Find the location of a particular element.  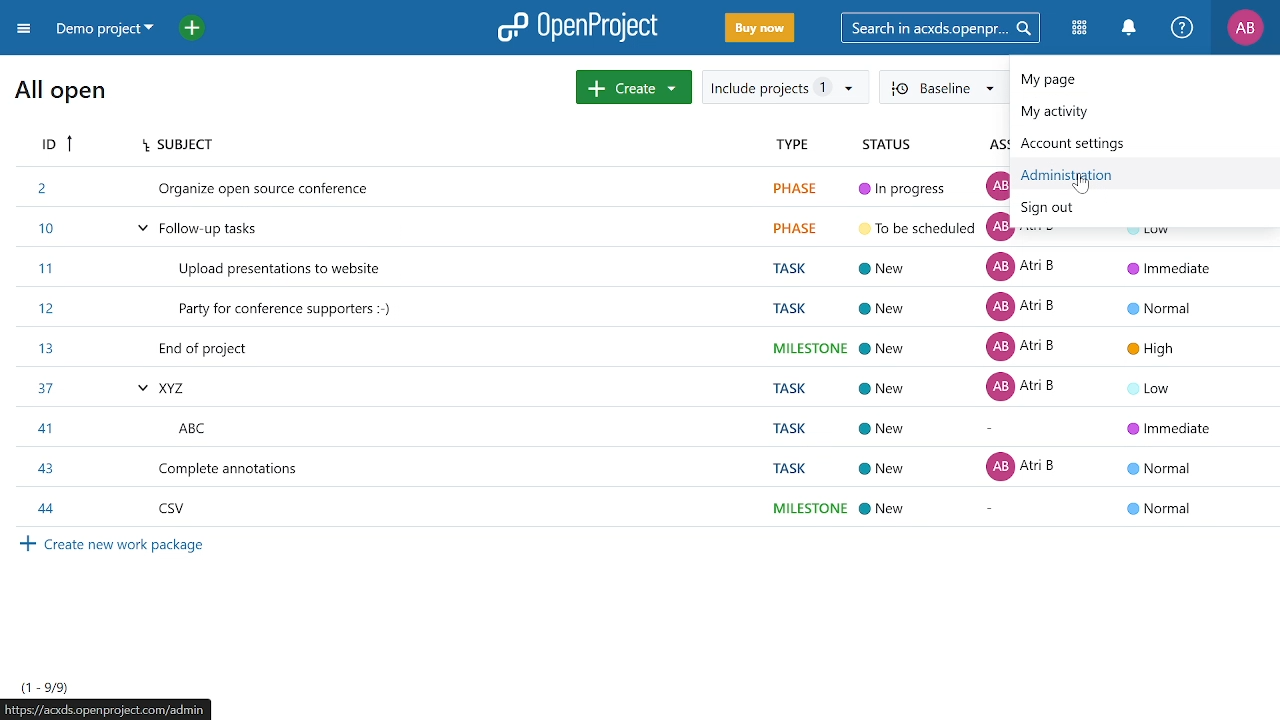

Type is located at coordinates (792, 145).